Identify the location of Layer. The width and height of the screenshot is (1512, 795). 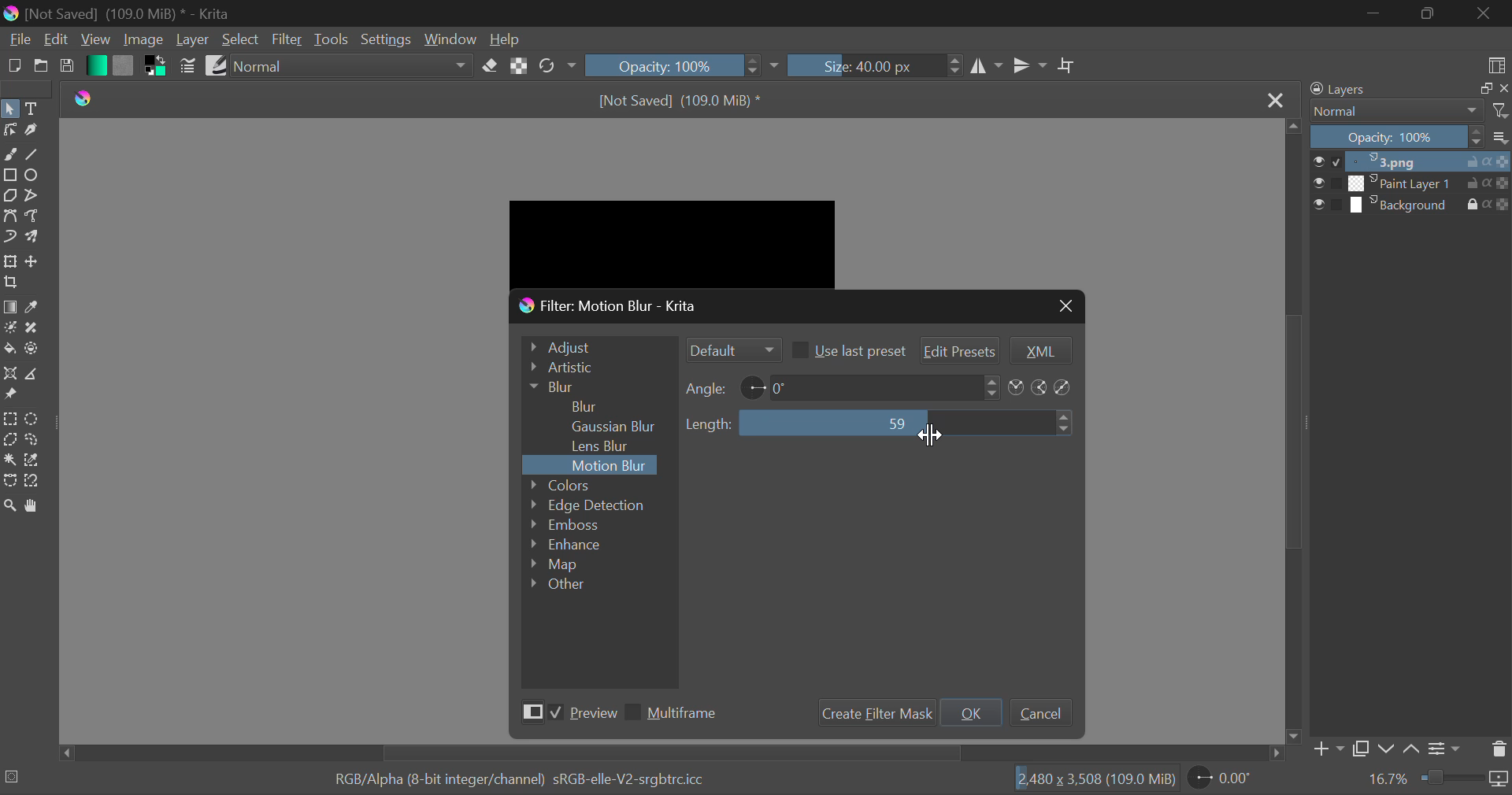
(193, 39).